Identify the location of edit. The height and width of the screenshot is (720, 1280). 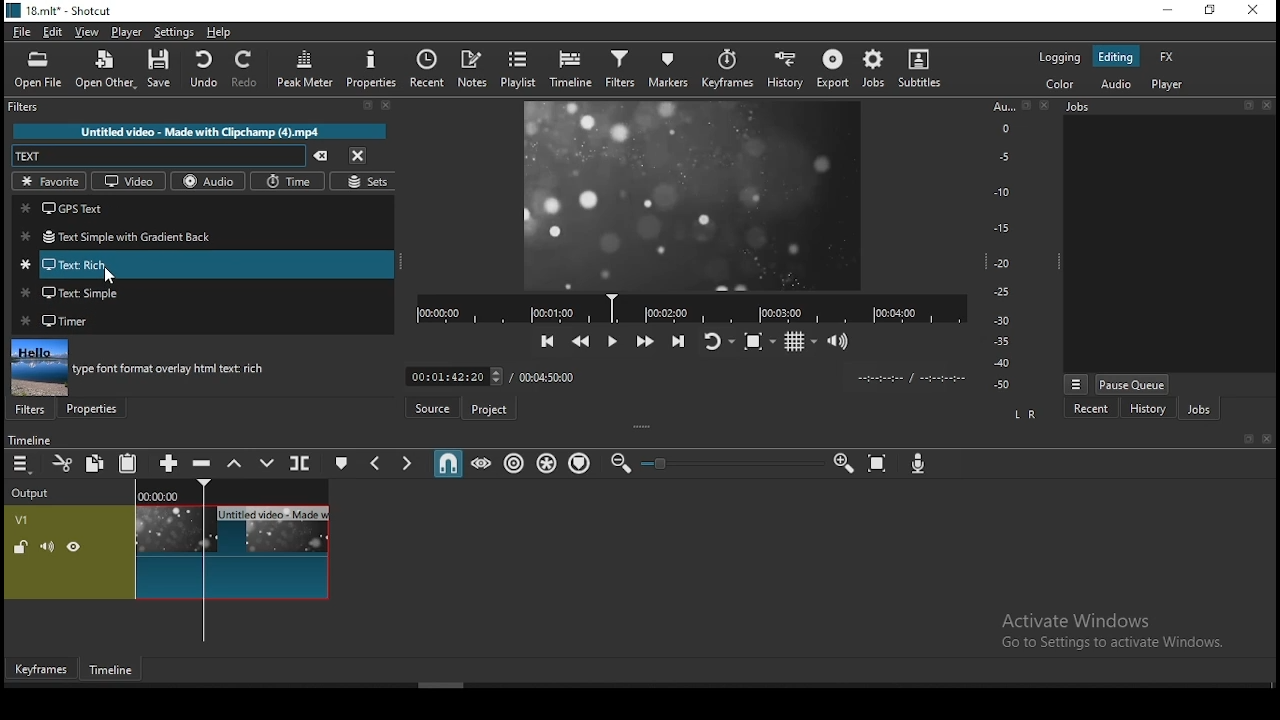
(55, 33).